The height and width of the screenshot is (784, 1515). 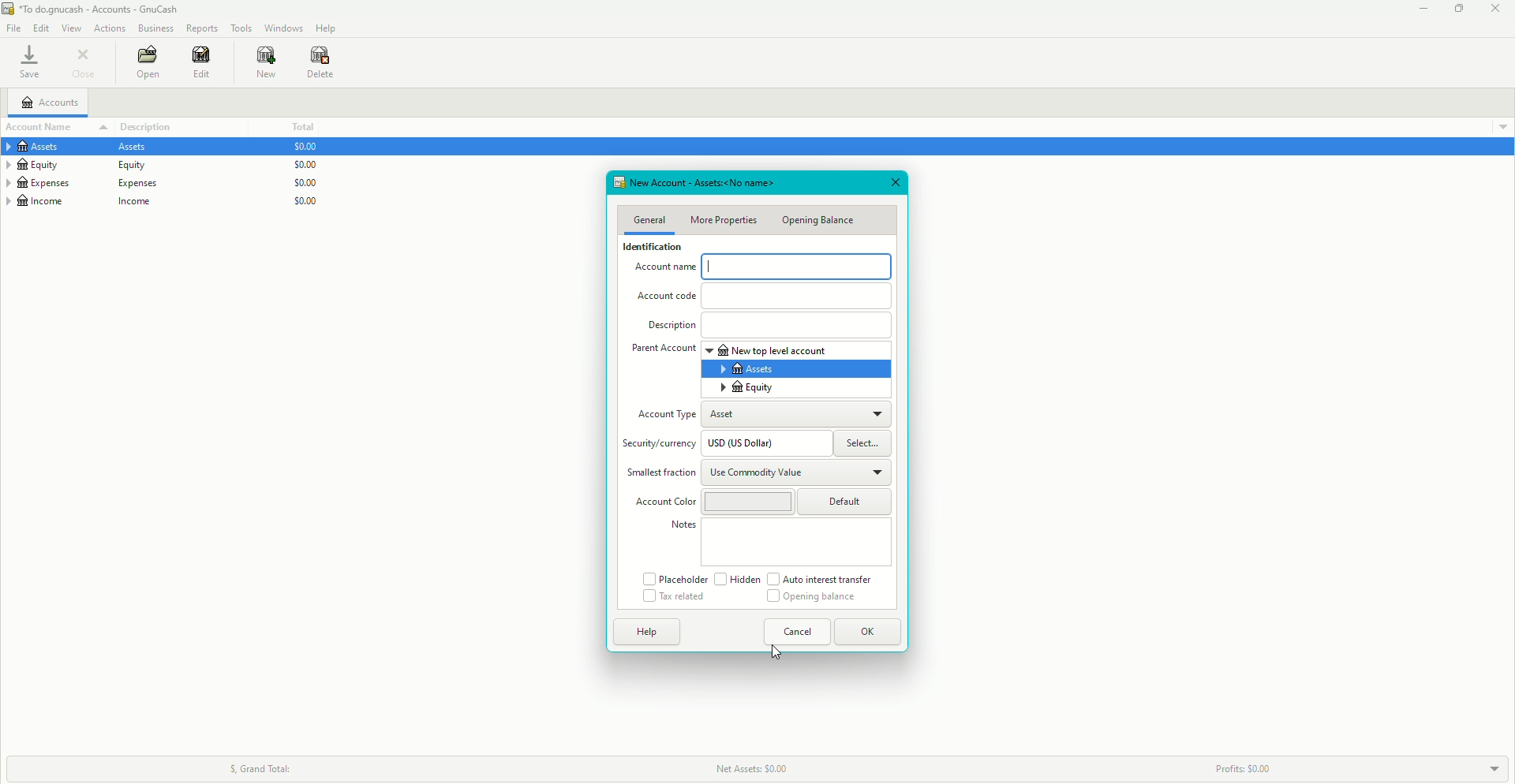 I want to click on Business, so click(x=156, y=29).